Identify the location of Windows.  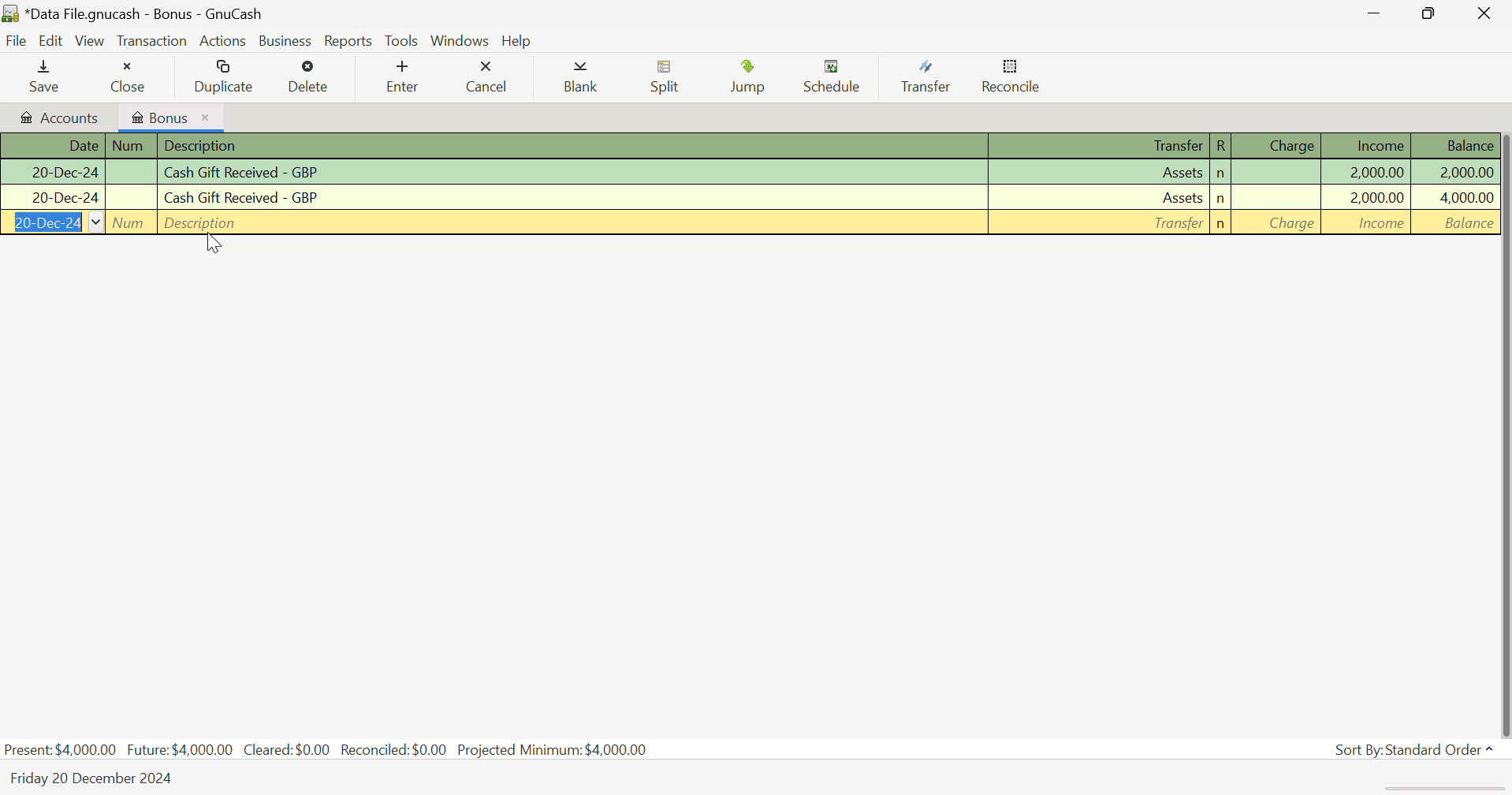
(460, 39).